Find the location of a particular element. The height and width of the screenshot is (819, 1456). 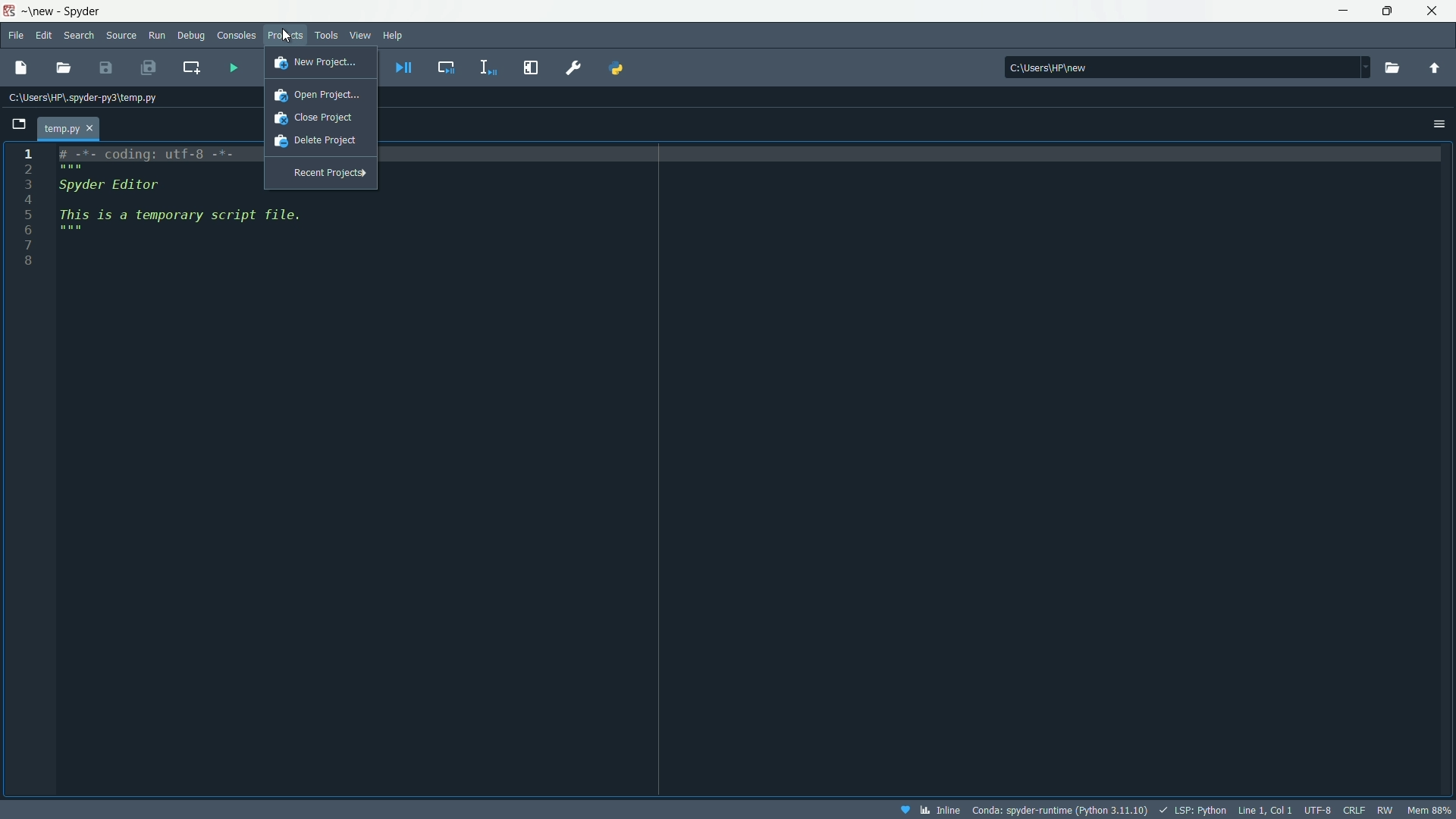

Consoles menu is located at coordinates (237, 37).